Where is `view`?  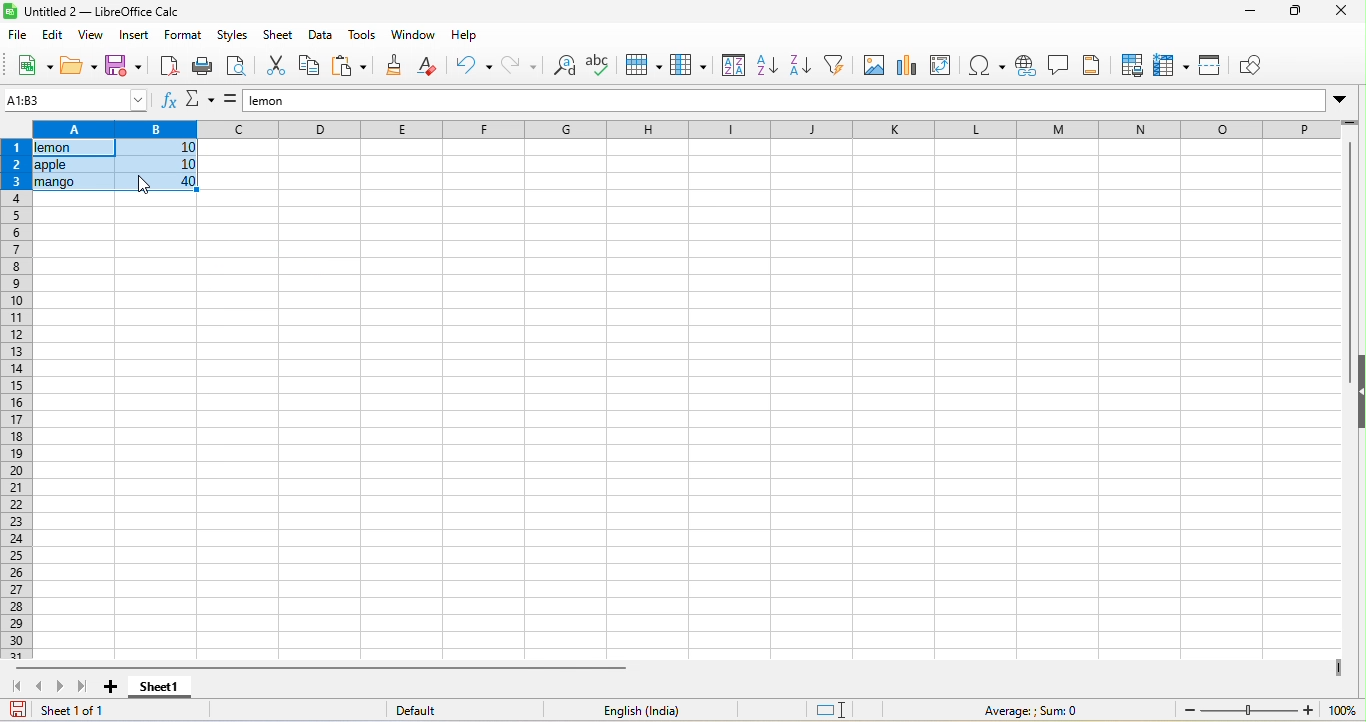
view is located at coordinates (92, 36).